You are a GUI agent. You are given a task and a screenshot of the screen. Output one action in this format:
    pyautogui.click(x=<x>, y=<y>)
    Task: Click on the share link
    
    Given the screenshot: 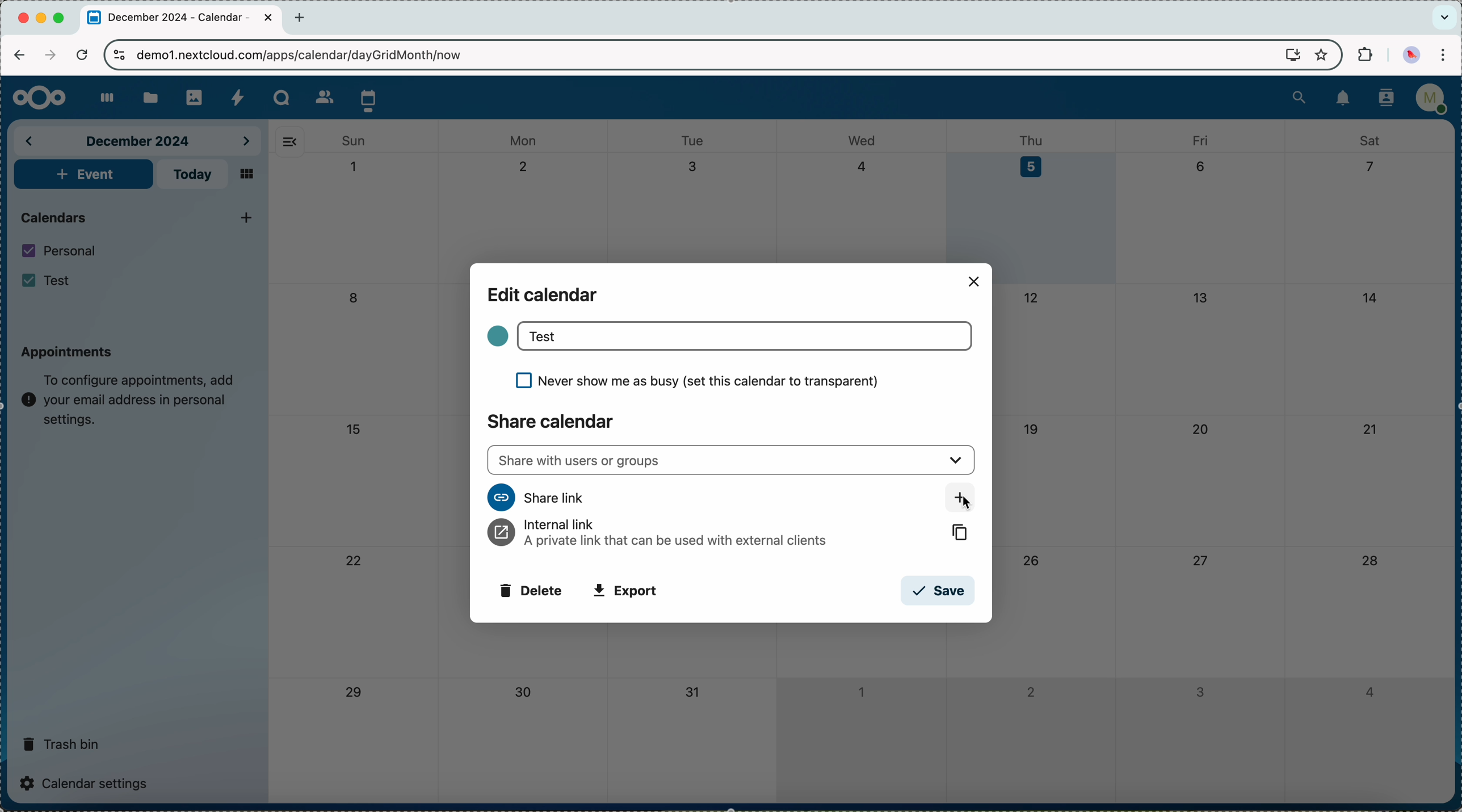 What is the action you would take?
    pyautogui.click(x=536, y=497)
    